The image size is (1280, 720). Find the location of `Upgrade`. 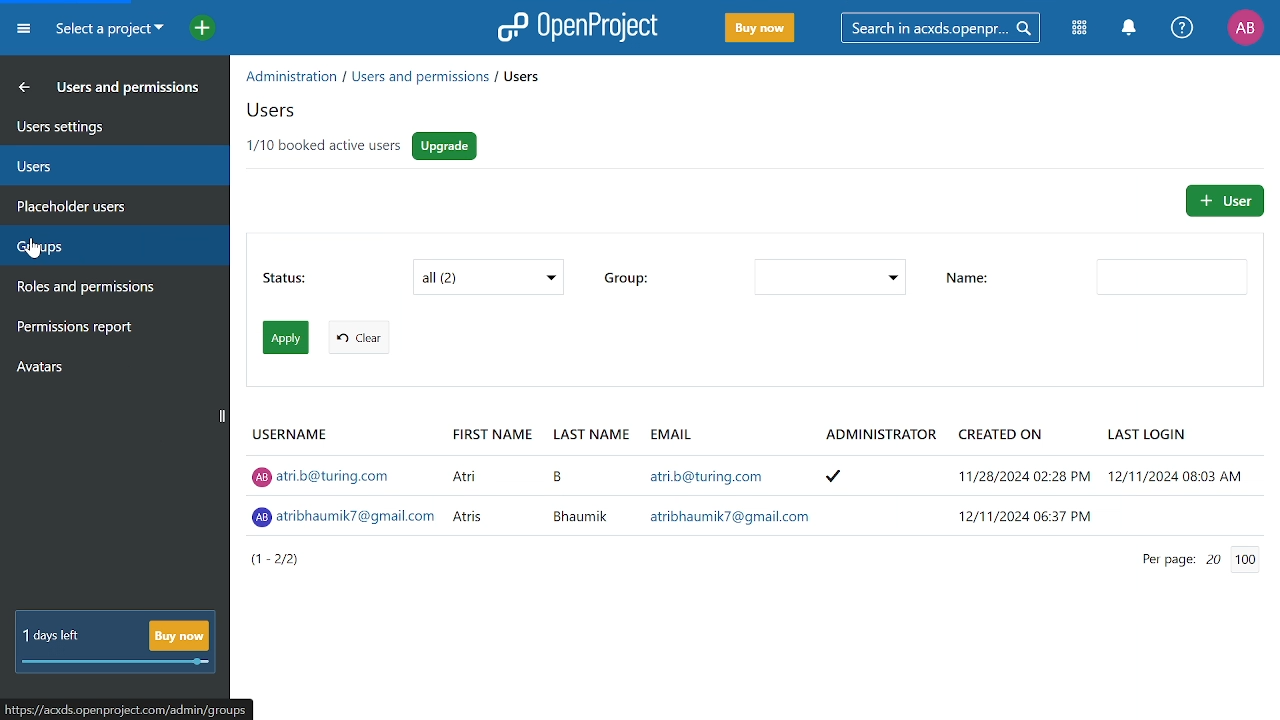

Upgrade is located at coordinates (447, 146).